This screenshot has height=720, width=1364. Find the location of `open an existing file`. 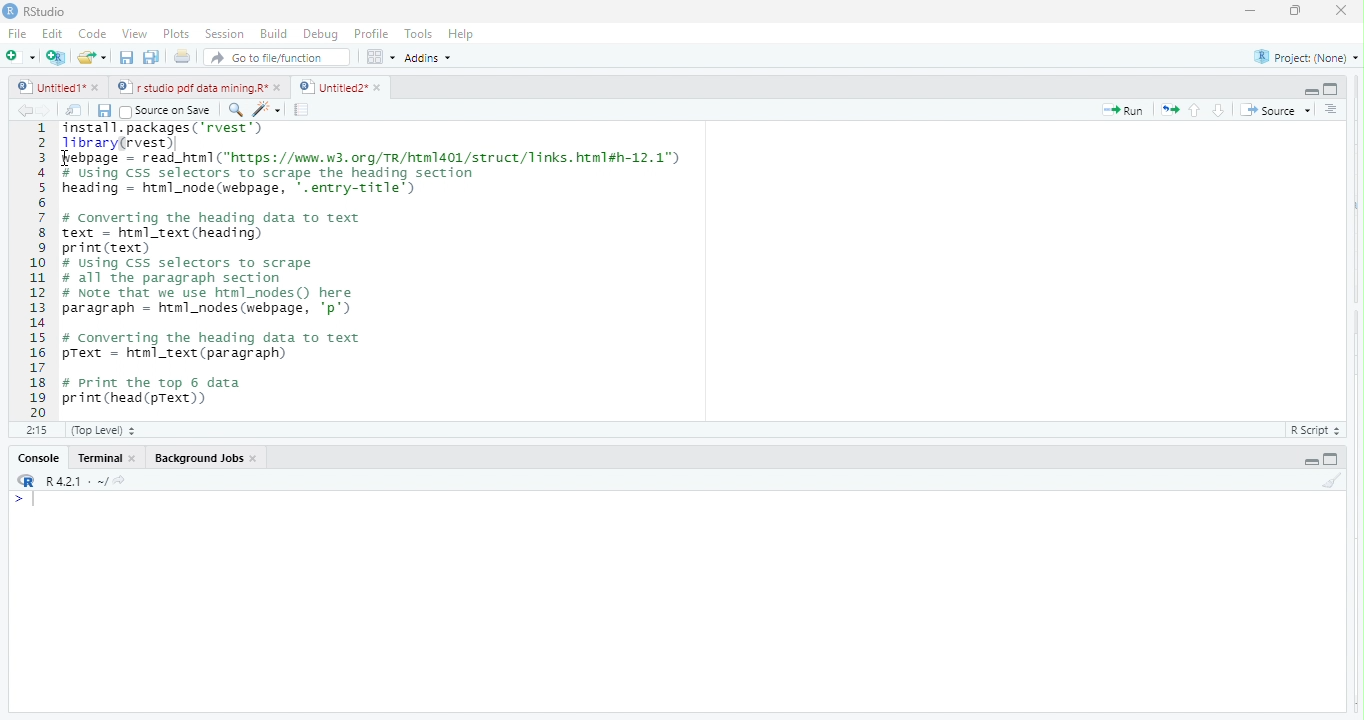

open an existing file is located at coordinates (93, 56).